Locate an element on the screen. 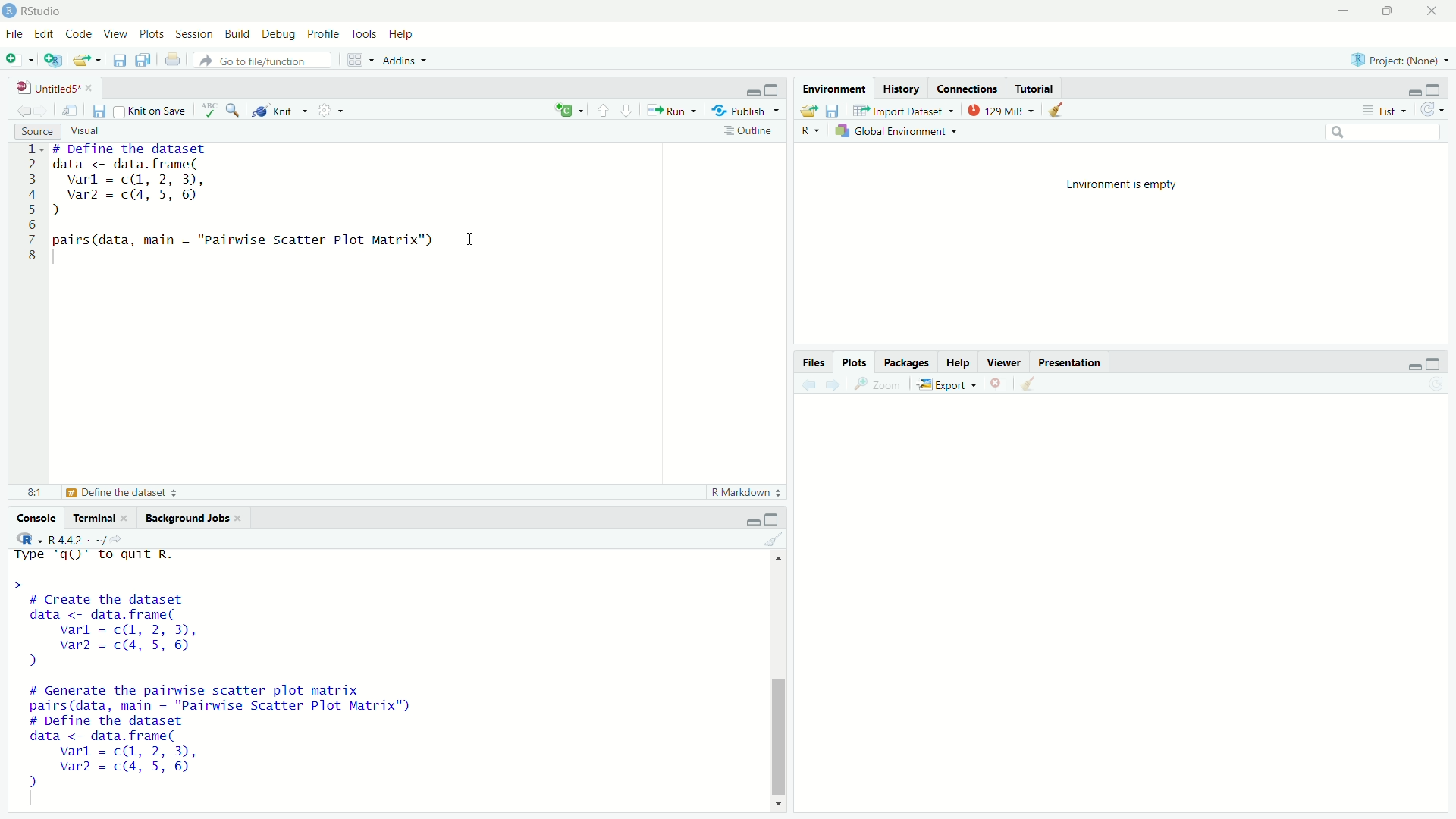 The height and width of the screenshot is (819, 1456). Minimize is located at coordinates (752, 521).